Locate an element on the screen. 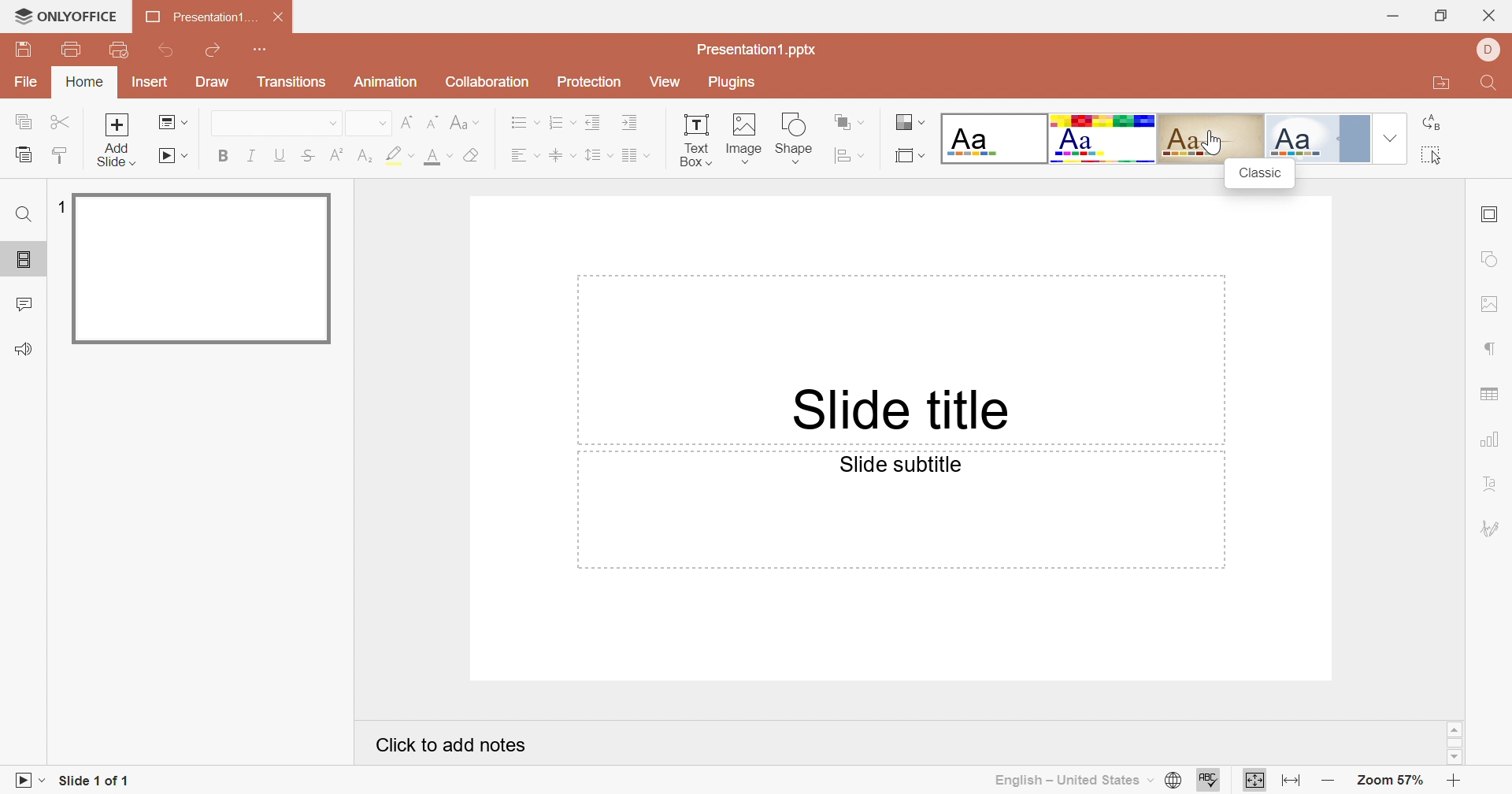 This screenshot has height=794, width=1512. Line spacing is located at coordinates (598, 154).